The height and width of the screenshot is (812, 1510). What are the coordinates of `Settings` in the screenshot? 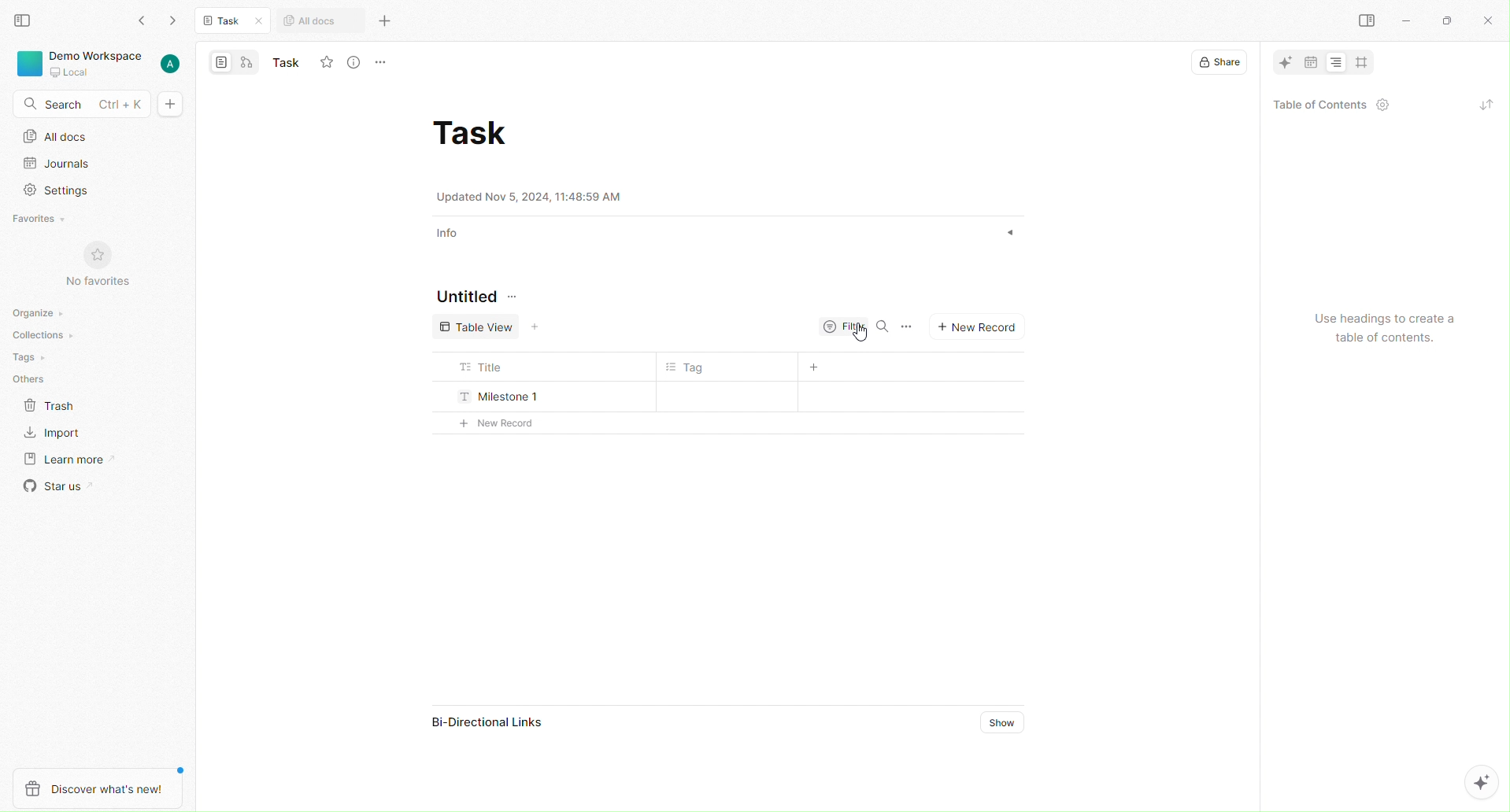 It's located at (63, 190).